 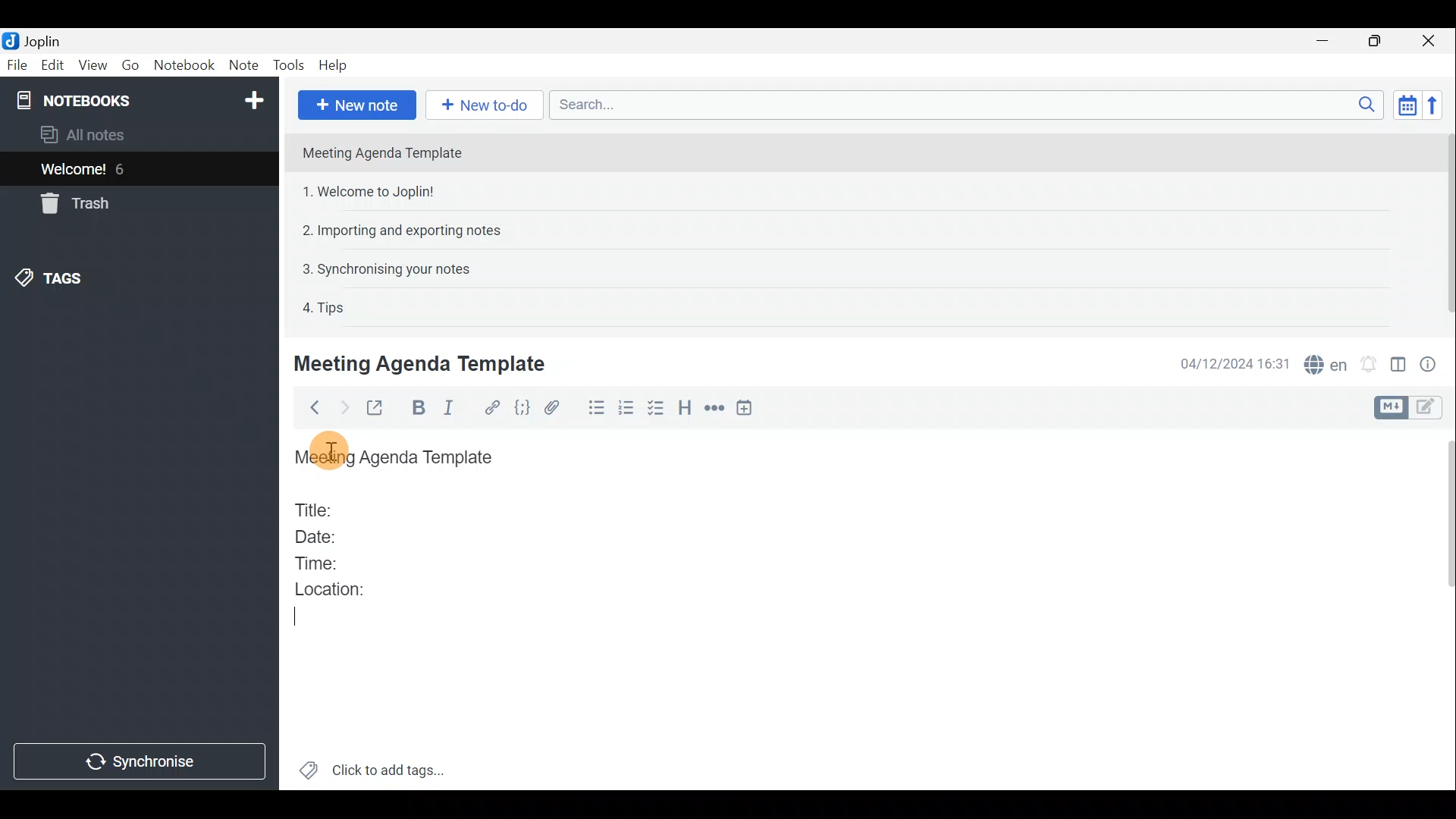 I want to click on 04/12/2024 16:31, so click(x=1228, y=362).